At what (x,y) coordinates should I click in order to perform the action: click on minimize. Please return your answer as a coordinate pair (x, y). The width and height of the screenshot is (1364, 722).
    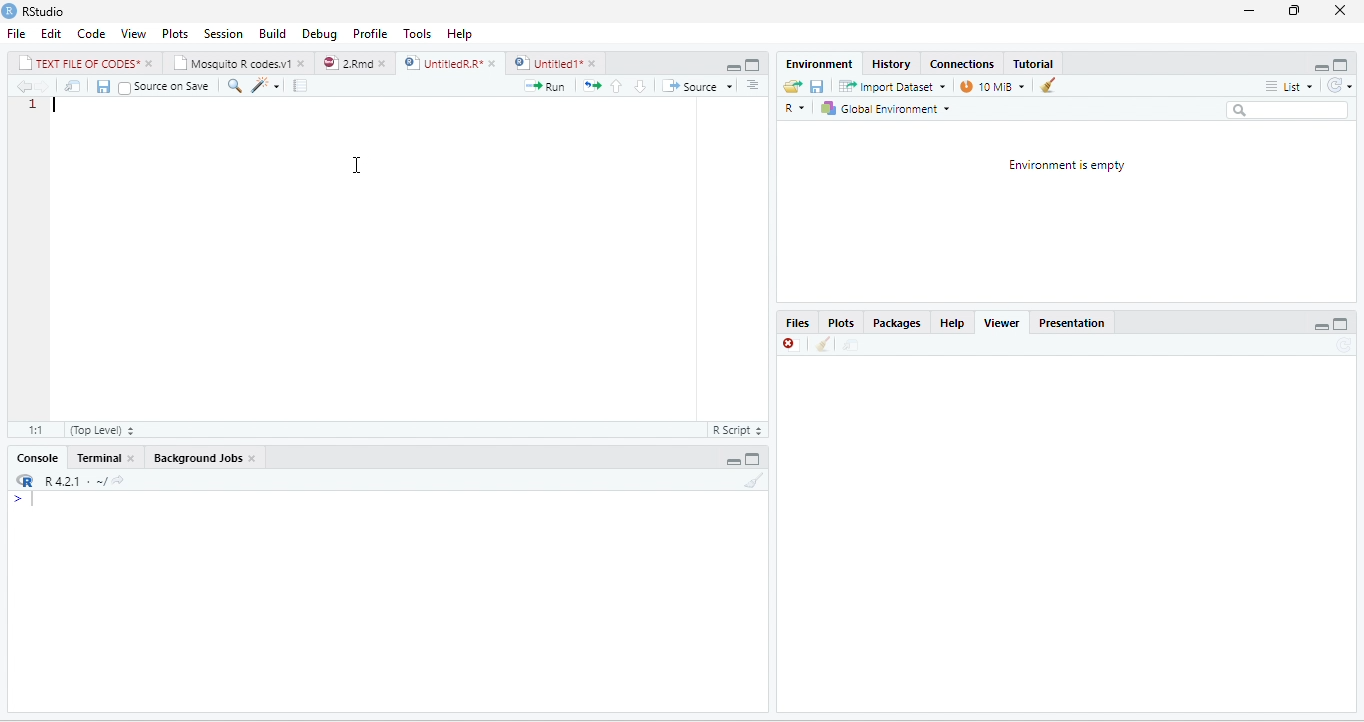
    Looking at the image, I should click on (1250, 13).